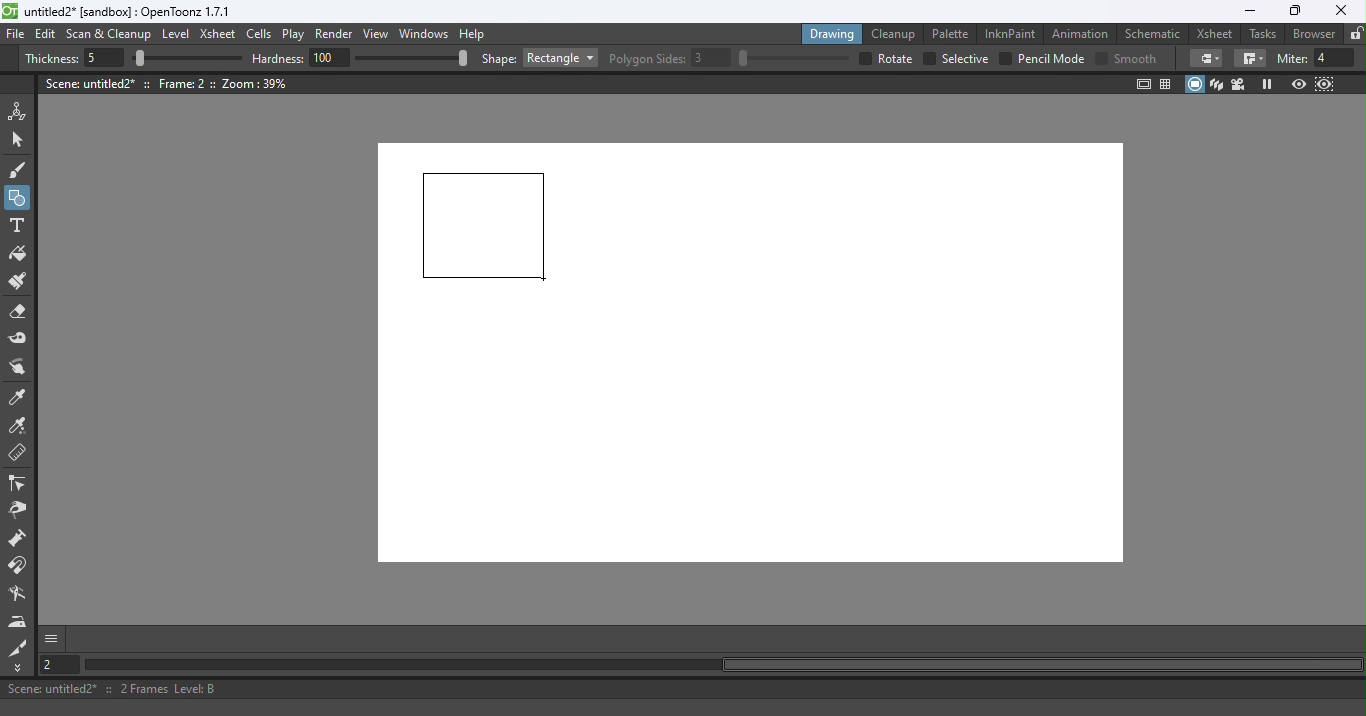 The image size is (1366, 716). Describe the element at coordinates (21, 340) in the screenshot. I see `Tape tool` at that location.